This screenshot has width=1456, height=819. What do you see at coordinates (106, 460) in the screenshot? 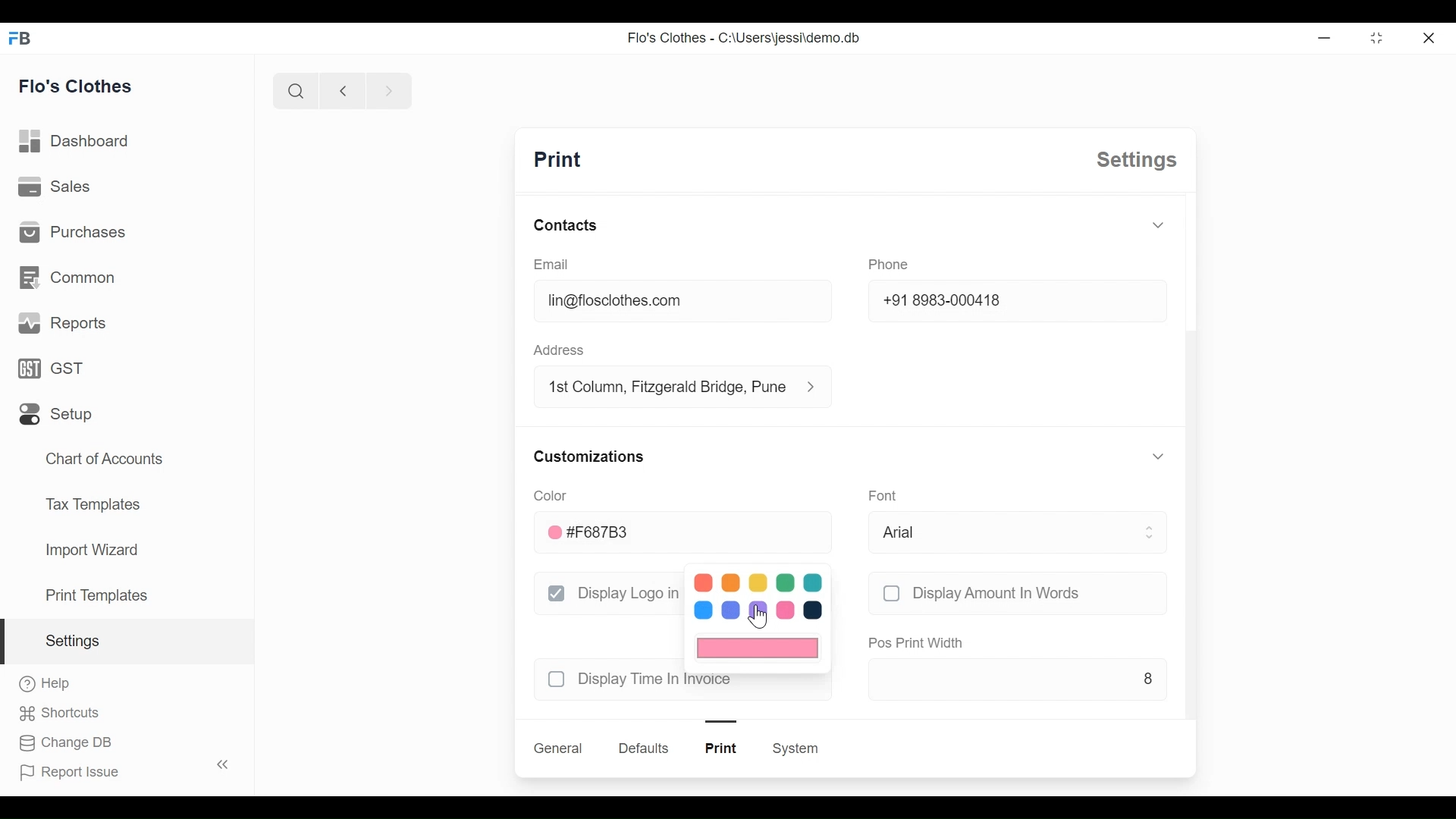
I see `chart of accounts` at bounding box center [106, 460].